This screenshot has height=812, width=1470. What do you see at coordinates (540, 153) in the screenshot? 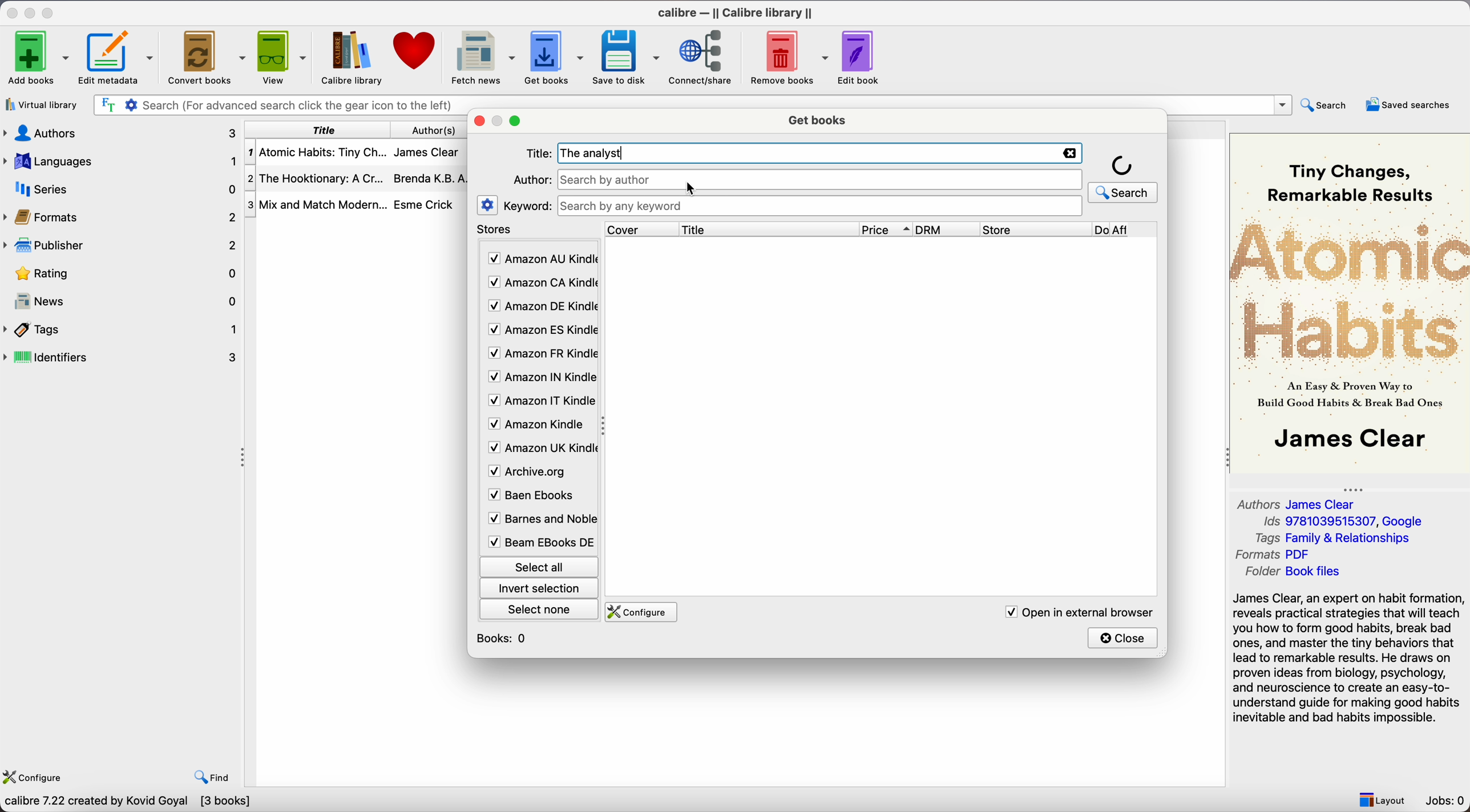
I see `Title:` at bounding box center [540, 153].